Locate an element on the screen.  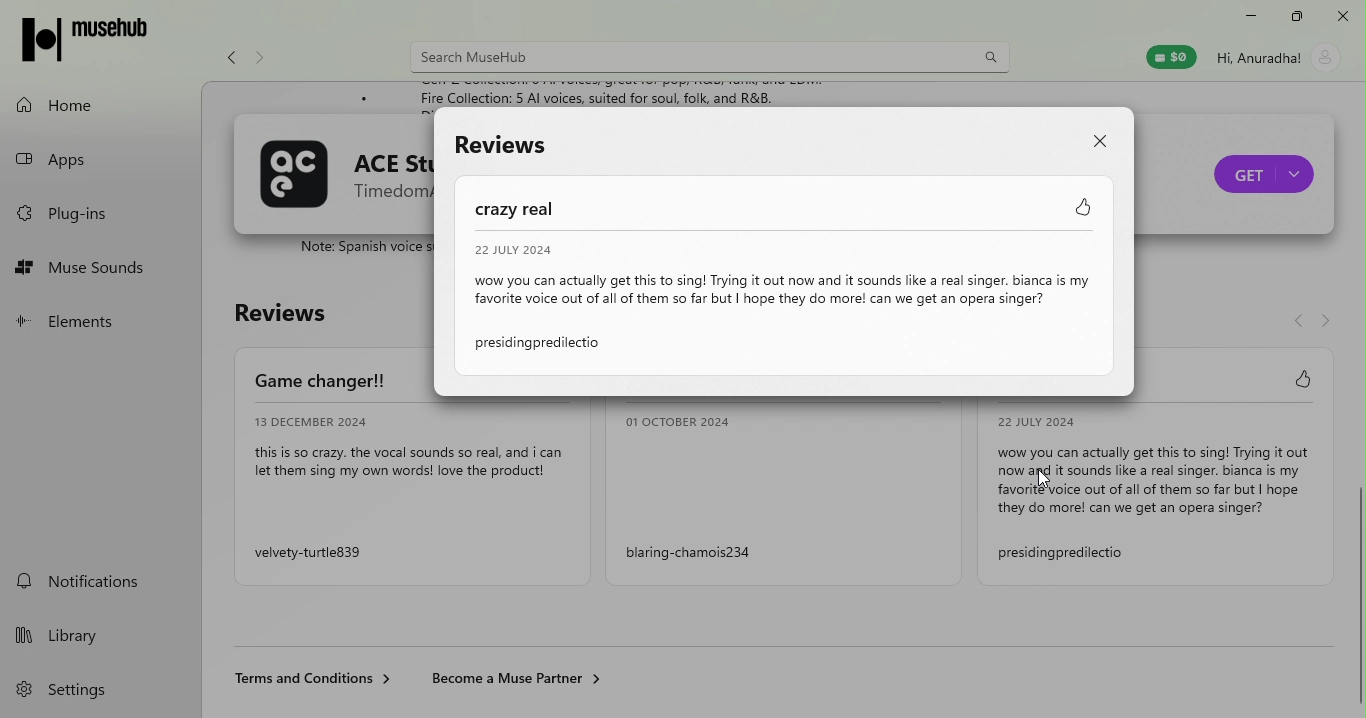
settings is located at coordinates (80, 691).